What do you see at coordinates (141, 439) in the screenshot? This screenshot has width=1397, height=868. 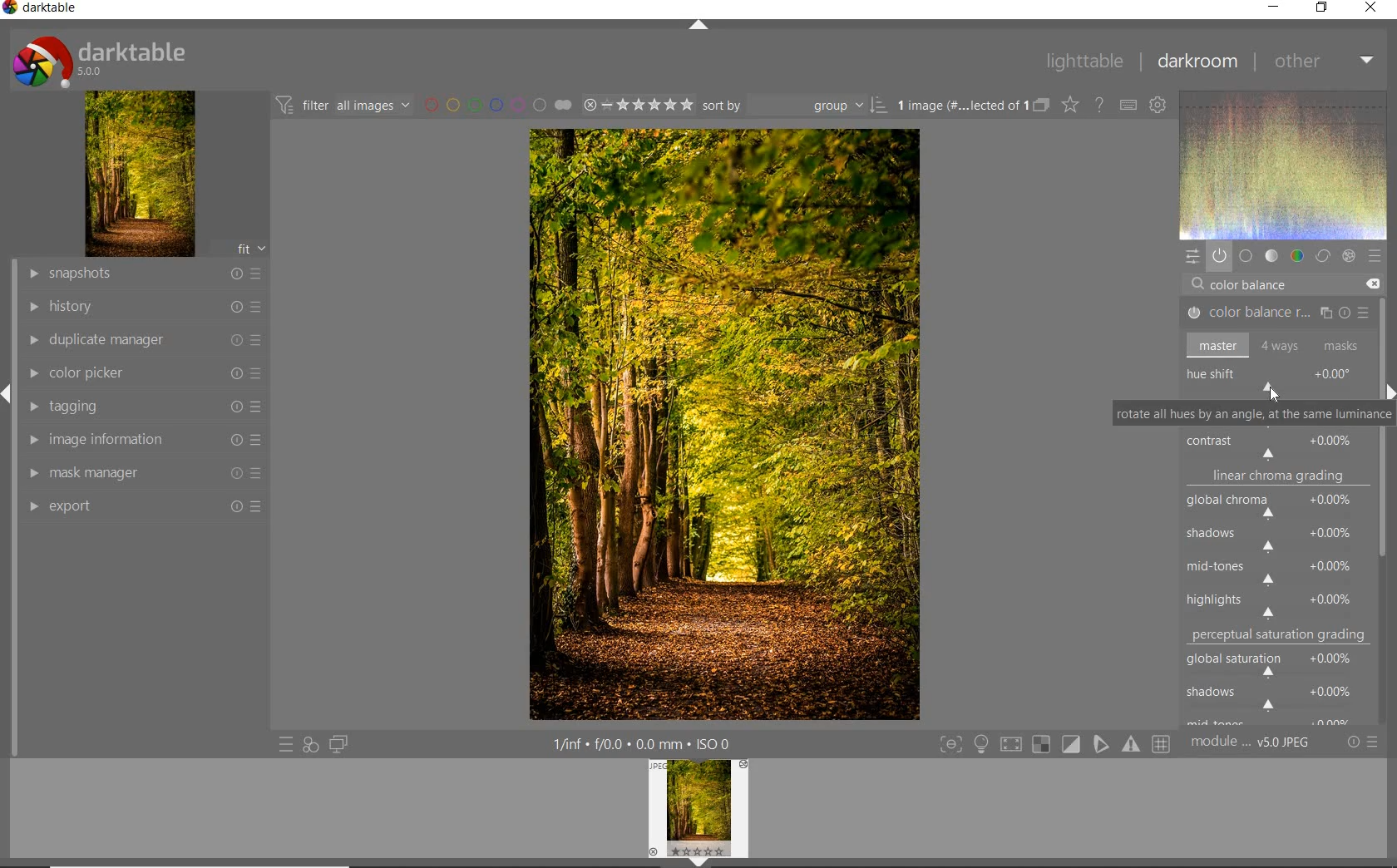 I see `image information` at bounding box center [141, 439].